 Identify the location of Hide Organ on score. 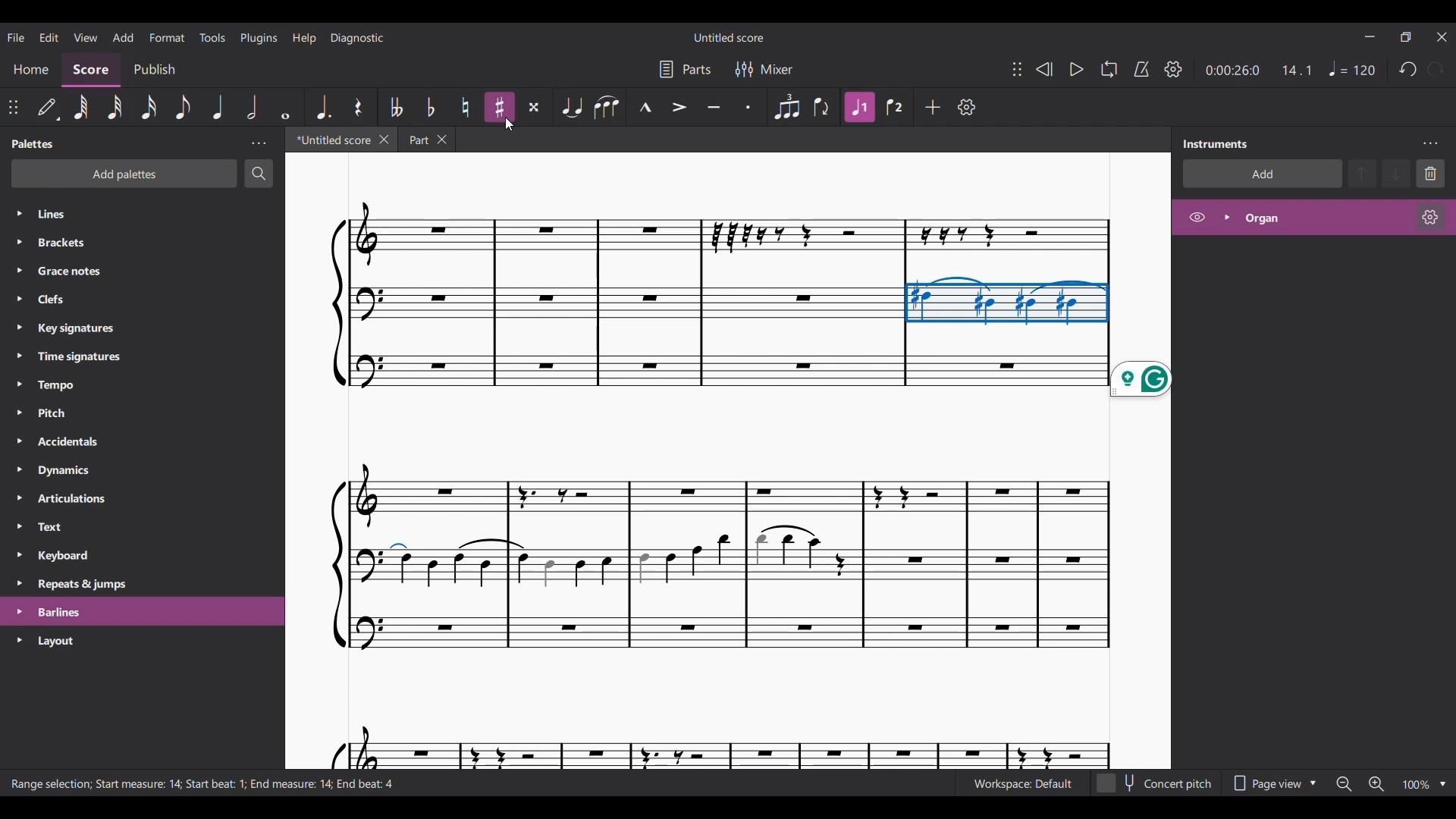
(1197, 217).